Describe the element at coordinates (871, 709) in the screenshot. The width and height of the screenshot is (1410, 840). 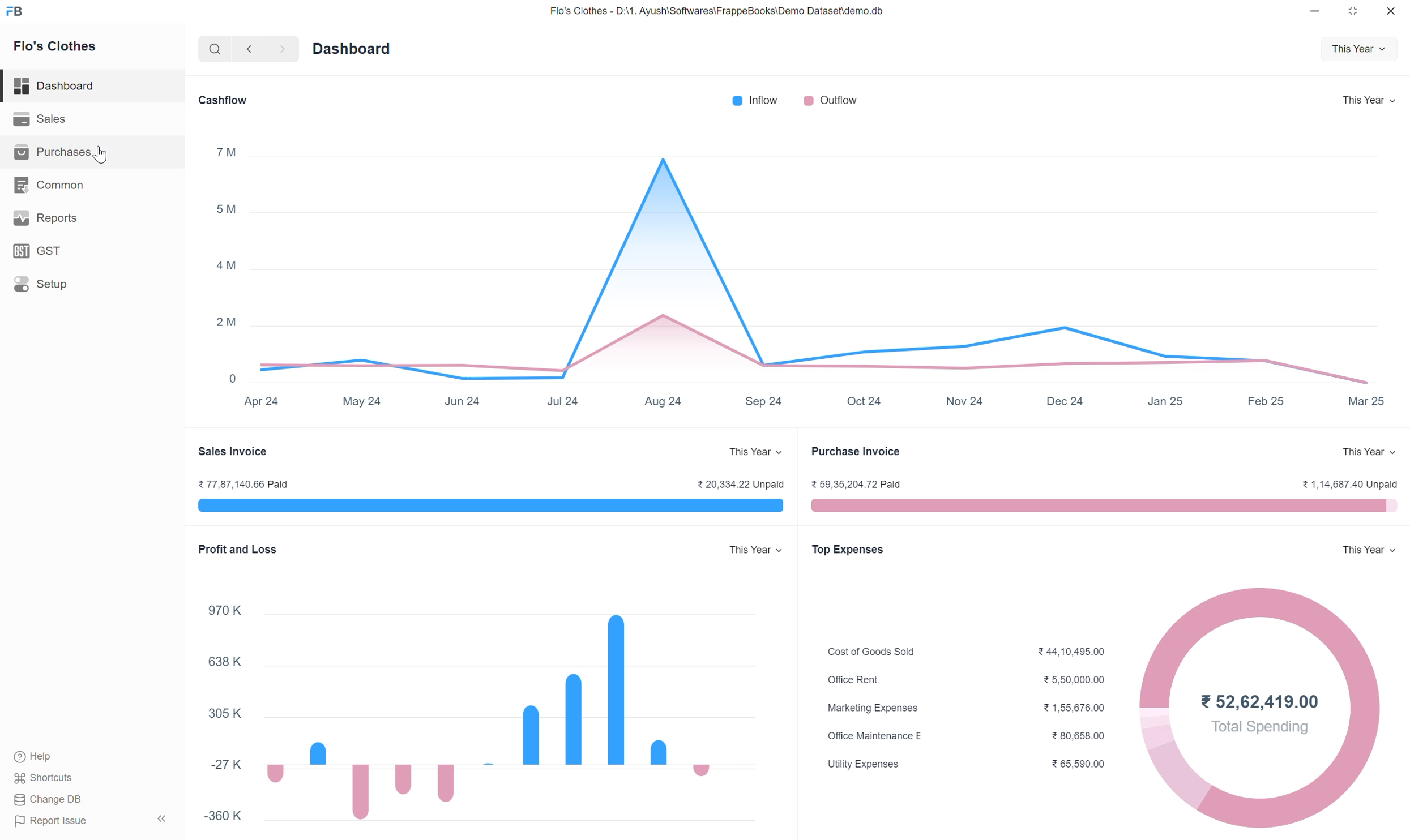
I see `` at that location.